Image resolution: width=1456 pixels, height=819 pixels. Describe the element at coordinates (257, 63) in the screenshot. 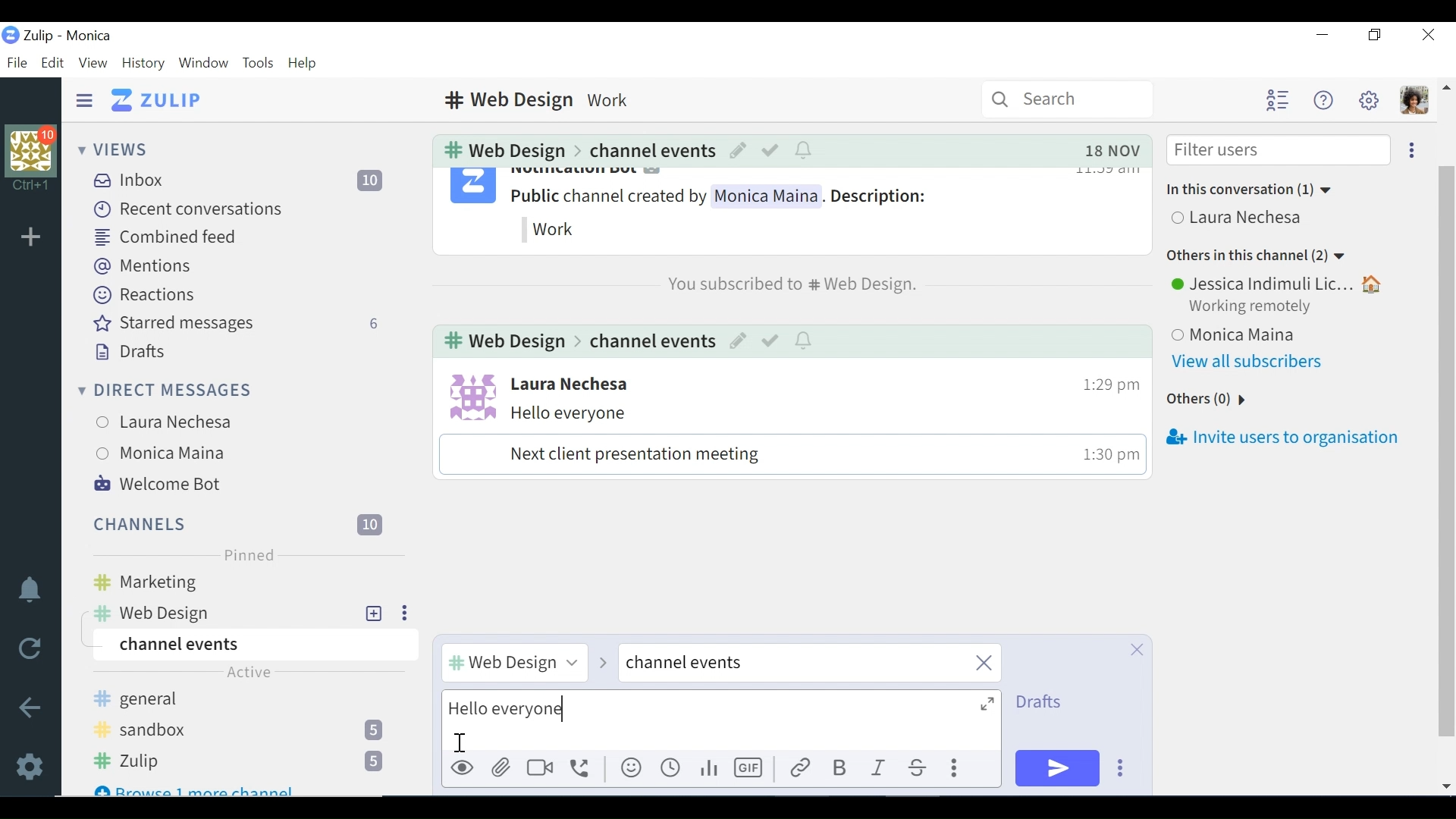

I see `Tools` at that location.